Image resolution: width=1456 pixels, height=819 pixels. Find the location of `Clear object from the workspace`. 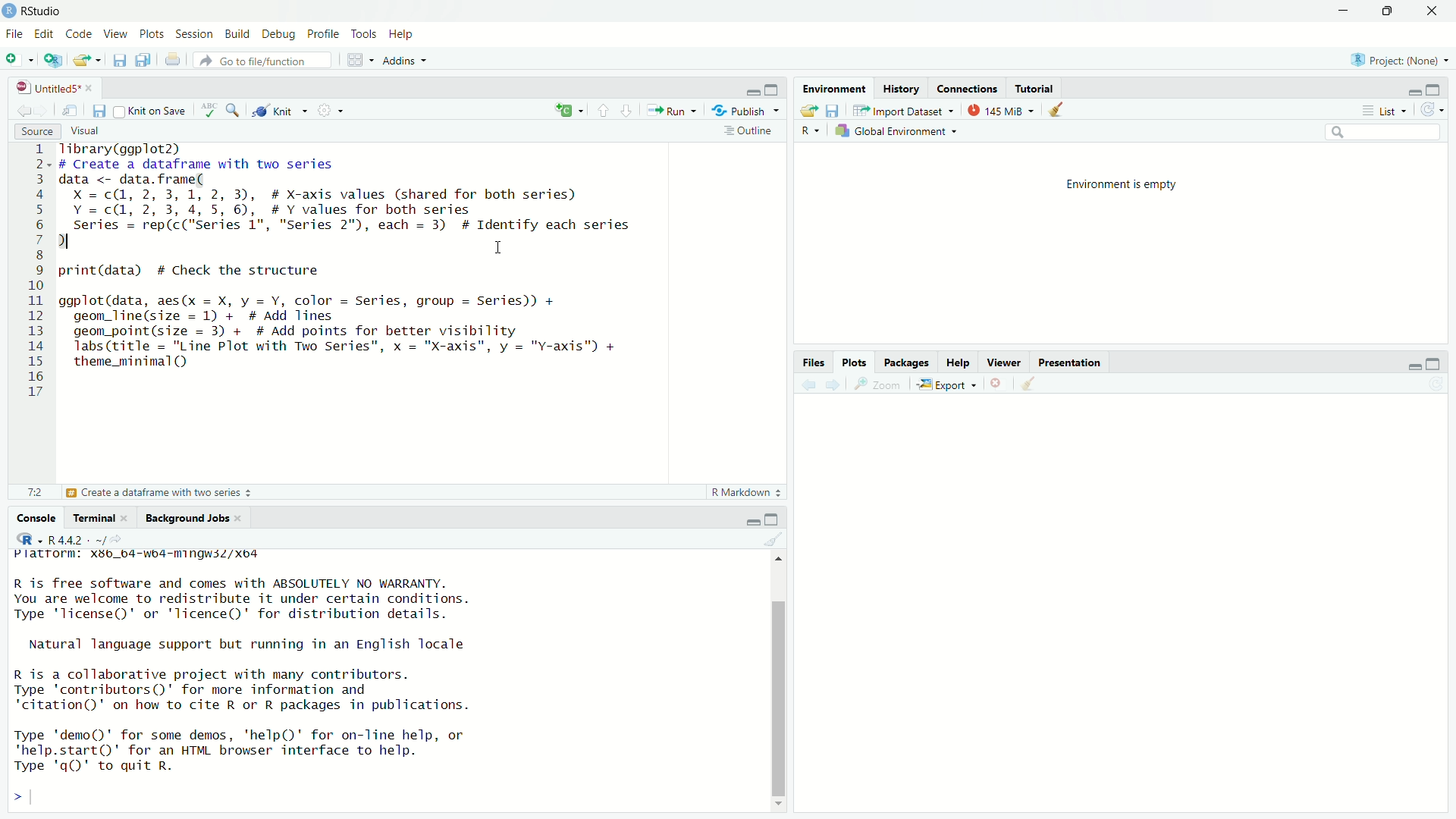

Clear object from the workspace is located at coordinates (1059, 109).